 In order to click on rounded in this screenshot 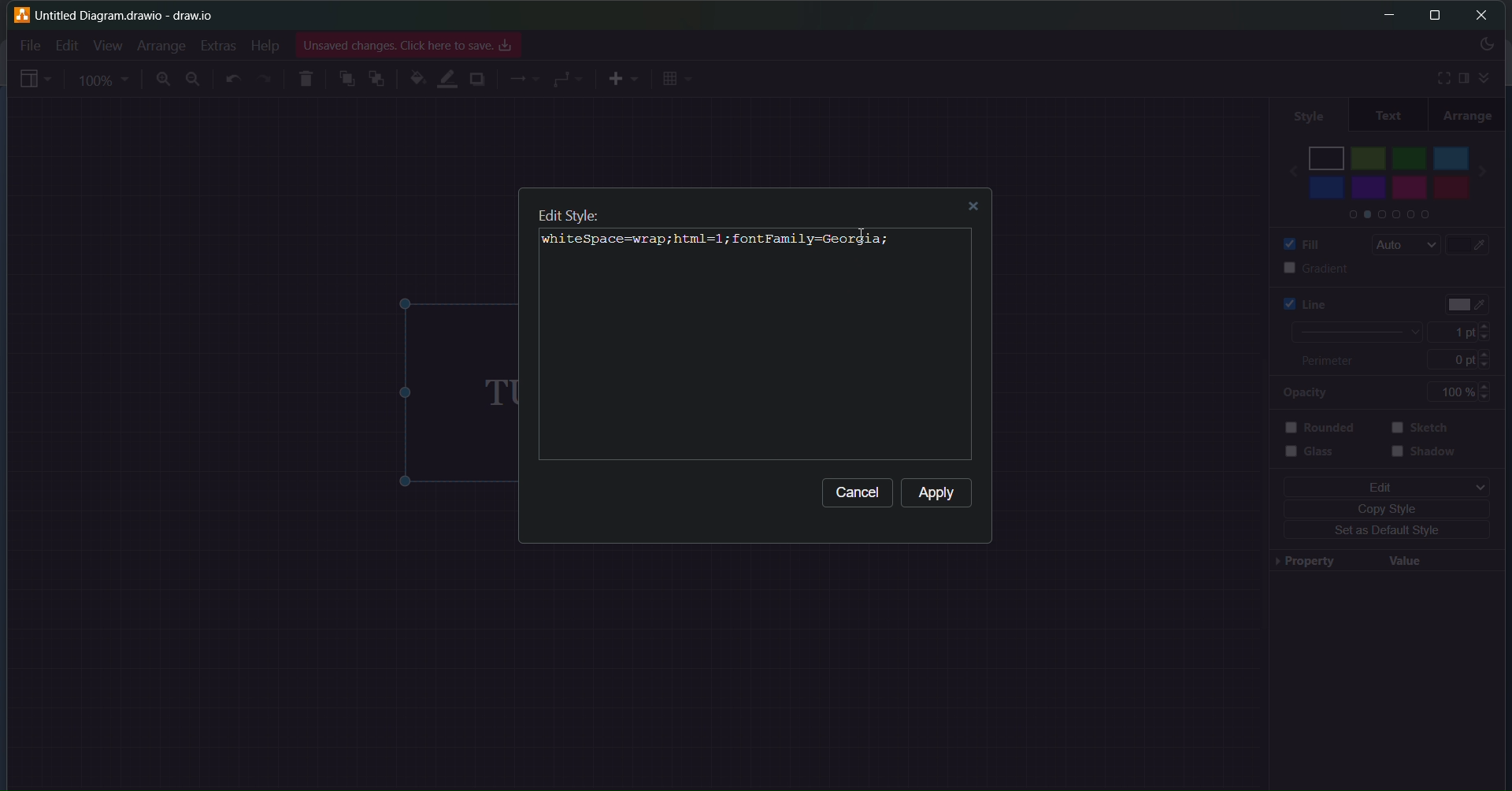, I will do `click(1325, 427)`.